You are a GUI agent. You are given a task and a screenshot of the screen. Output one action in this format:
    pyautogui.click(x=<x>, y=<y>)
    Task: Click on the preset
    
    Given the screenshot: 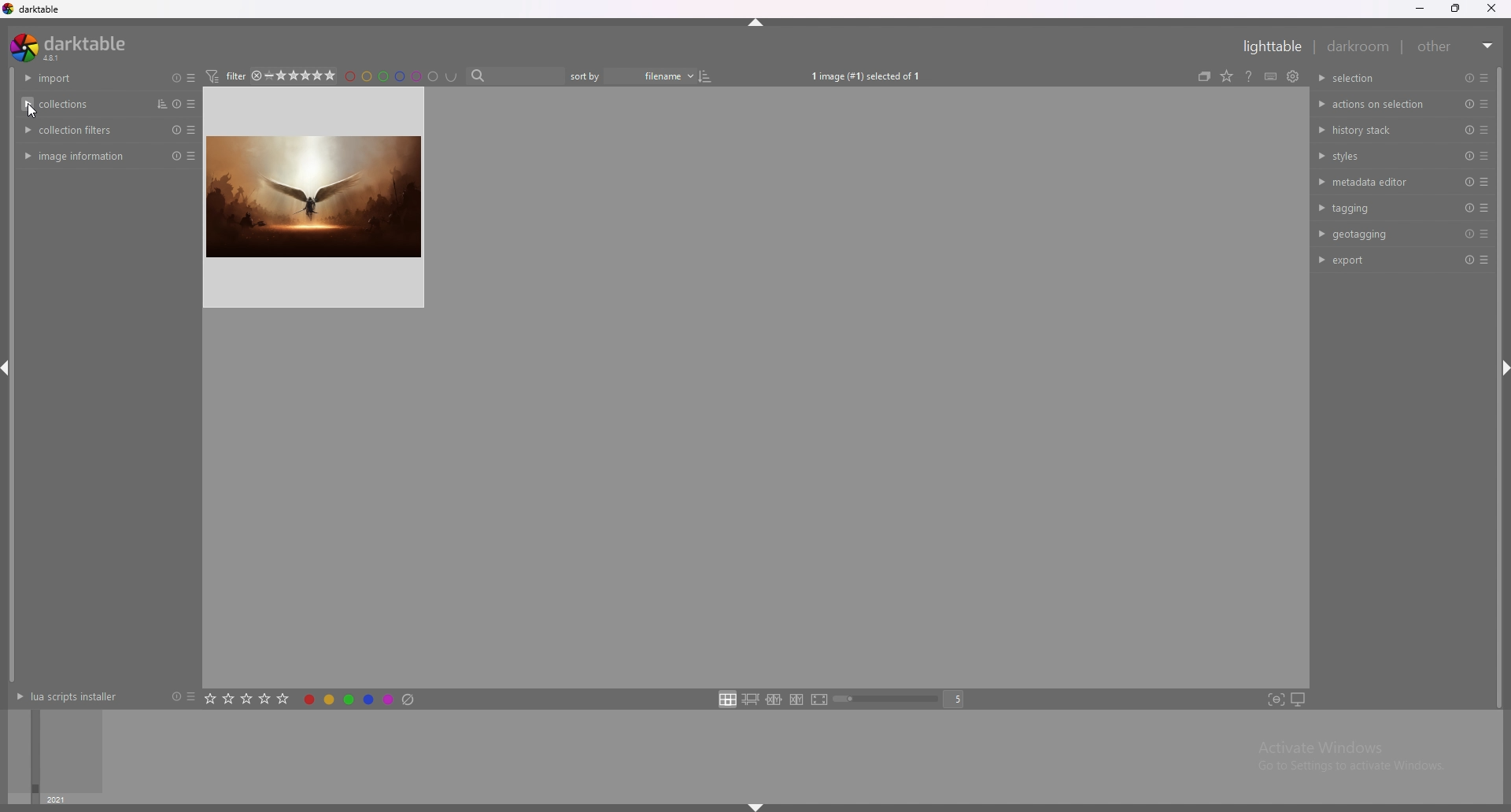 What is the action you would take?
    pyautogui.click(x=1468, y=130)
    